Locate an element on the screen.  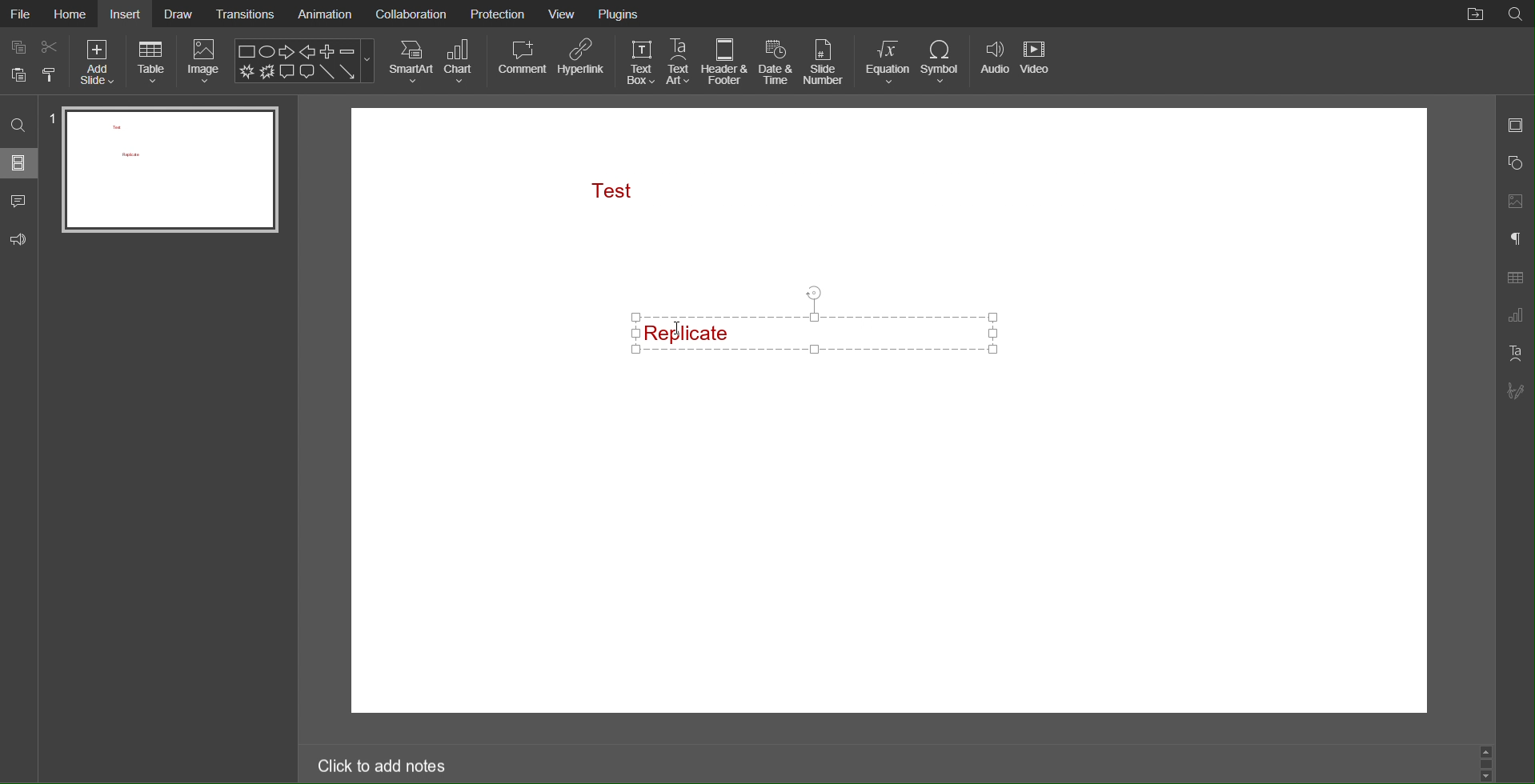
Table is located at coordinates (152, 62).